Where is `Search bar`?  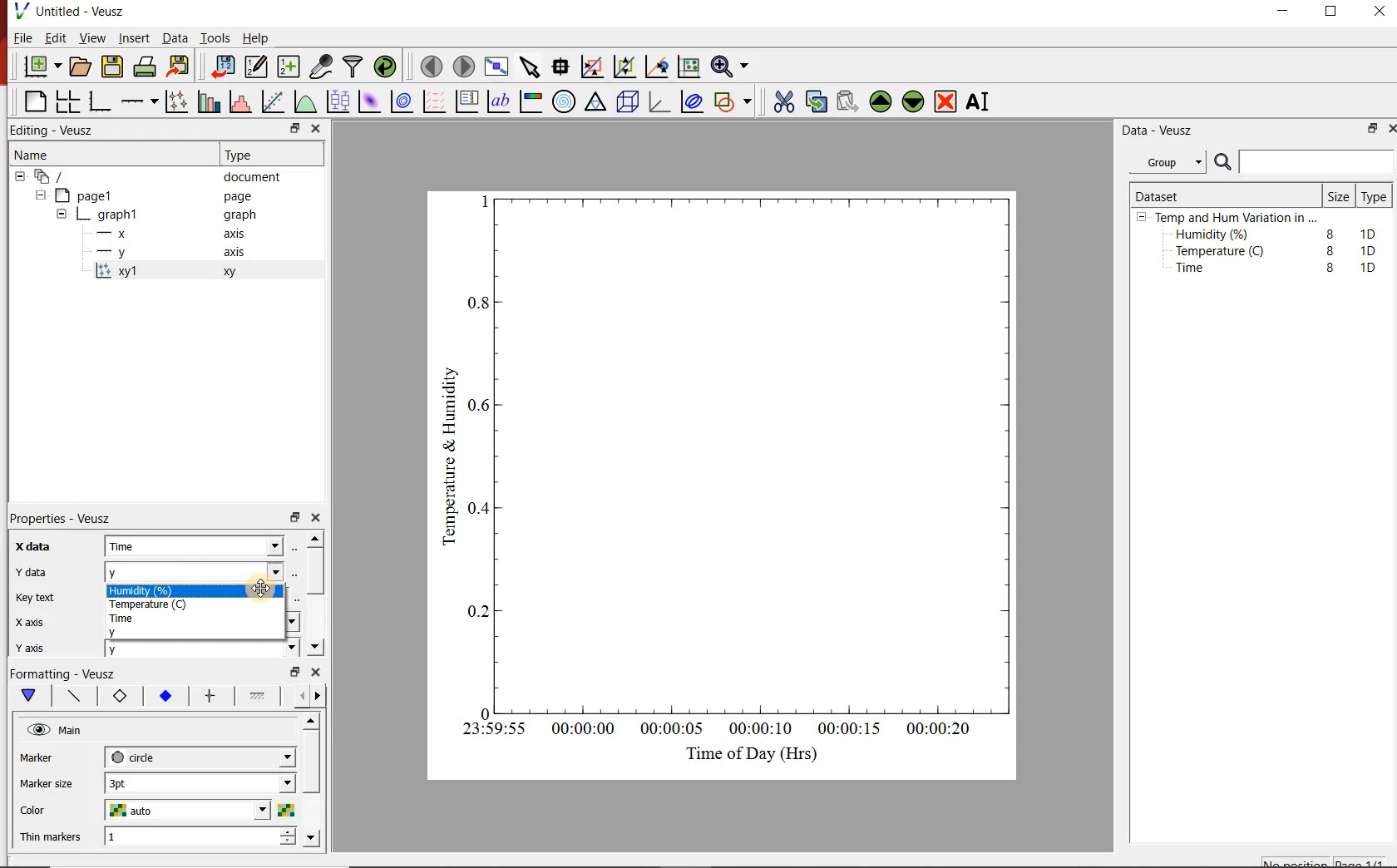
Search bar is located at coordinates (1304, 162).